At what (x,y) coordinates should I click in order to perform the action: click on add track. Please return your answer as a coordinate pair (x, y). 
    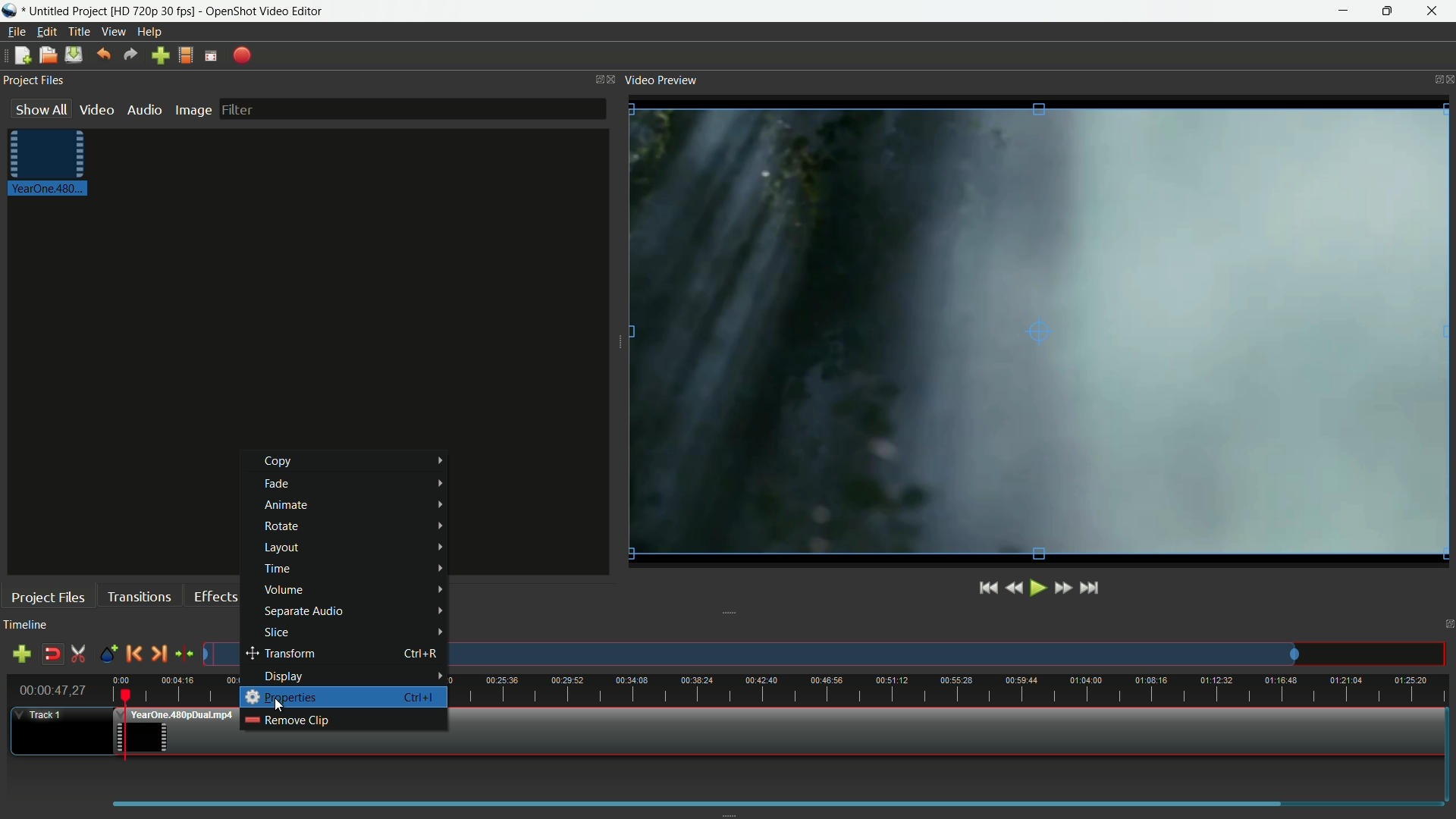
    Looking at the image, I should click on (22, 654).